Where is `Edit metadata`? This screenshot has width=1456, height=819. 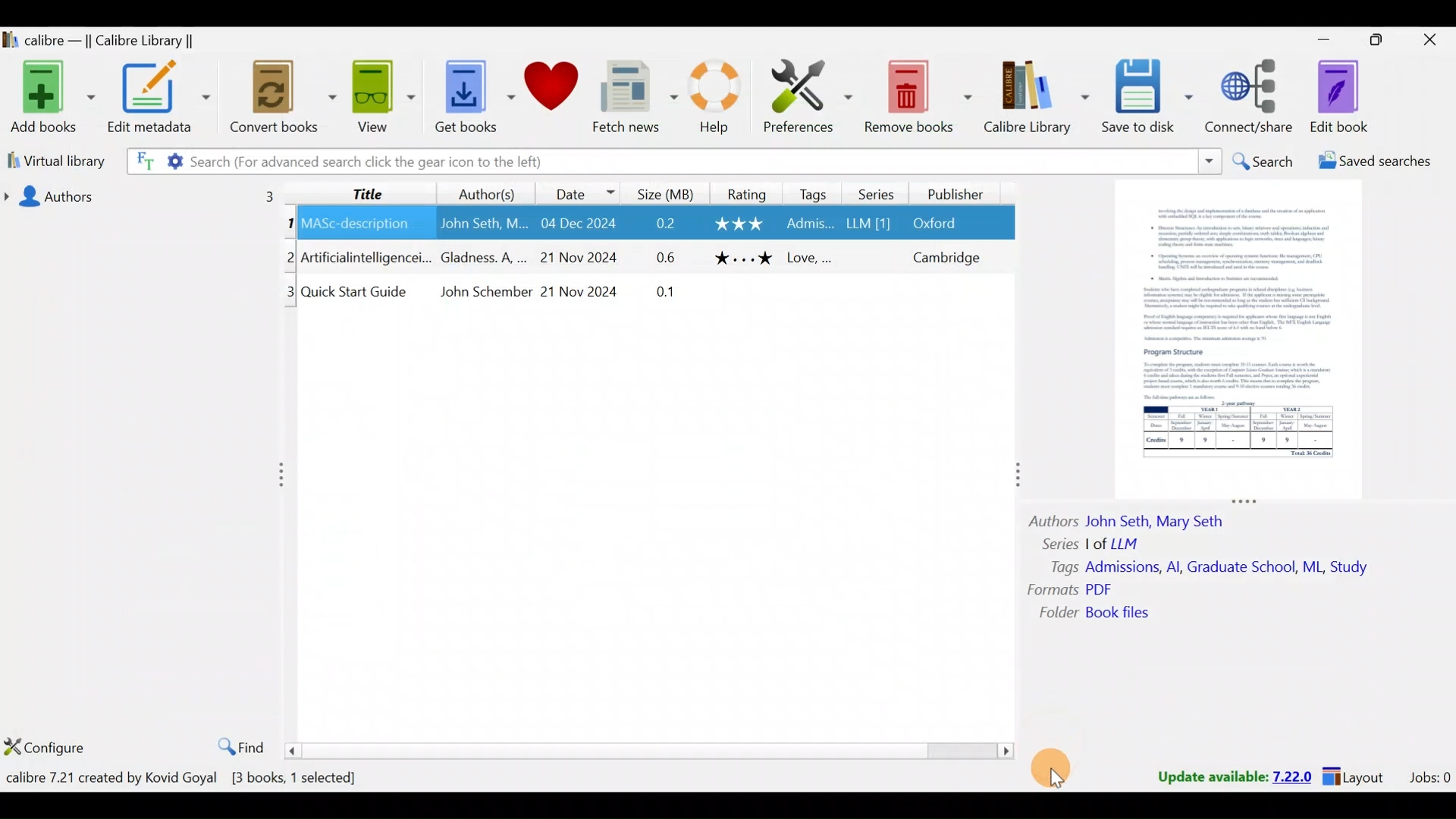 Edit metadata is located at coordinates (162, 99).